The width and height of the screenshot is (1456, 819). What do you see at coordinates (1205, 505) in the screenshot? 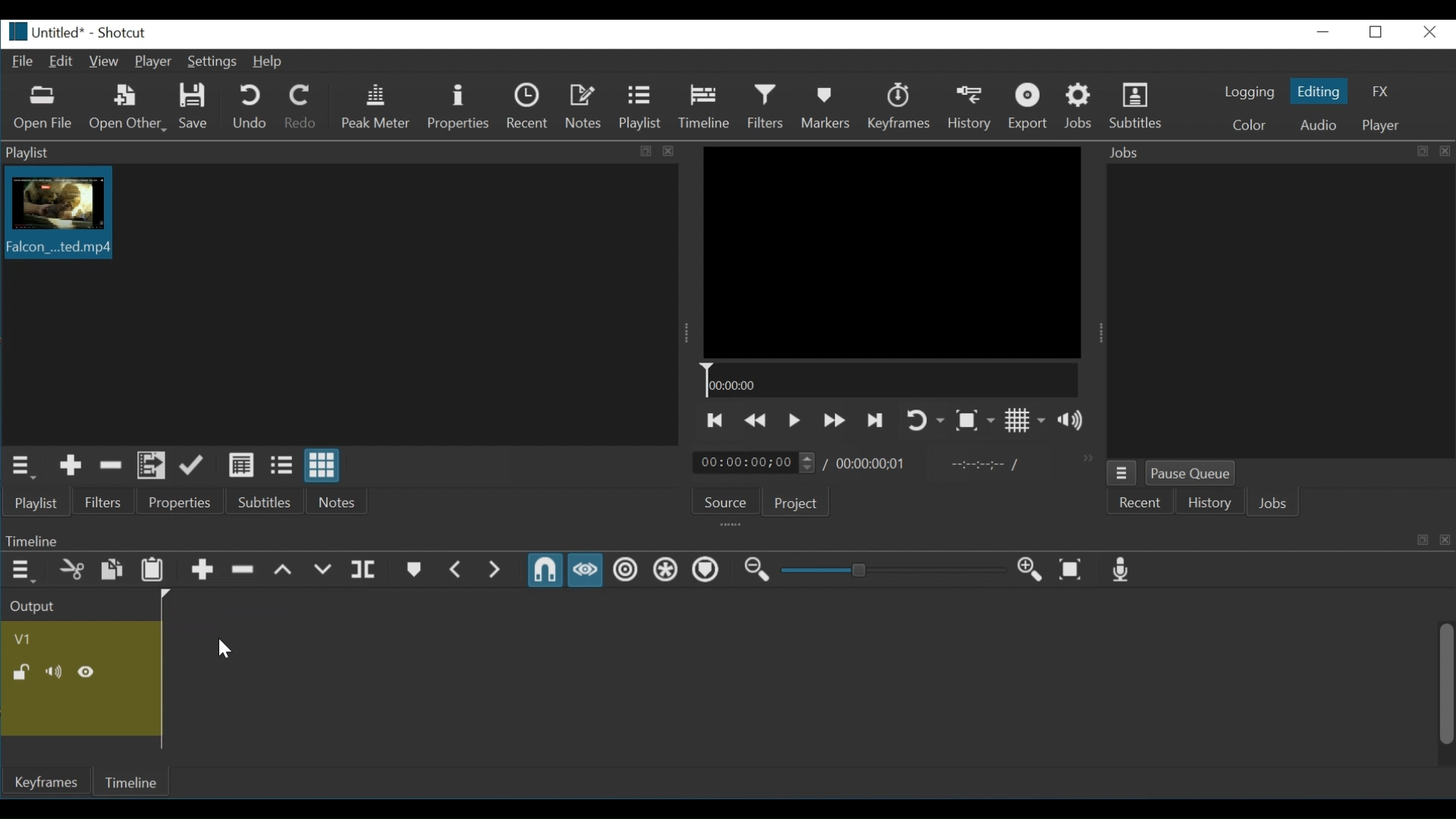
I see `History` at bounding box center [1205, 505].